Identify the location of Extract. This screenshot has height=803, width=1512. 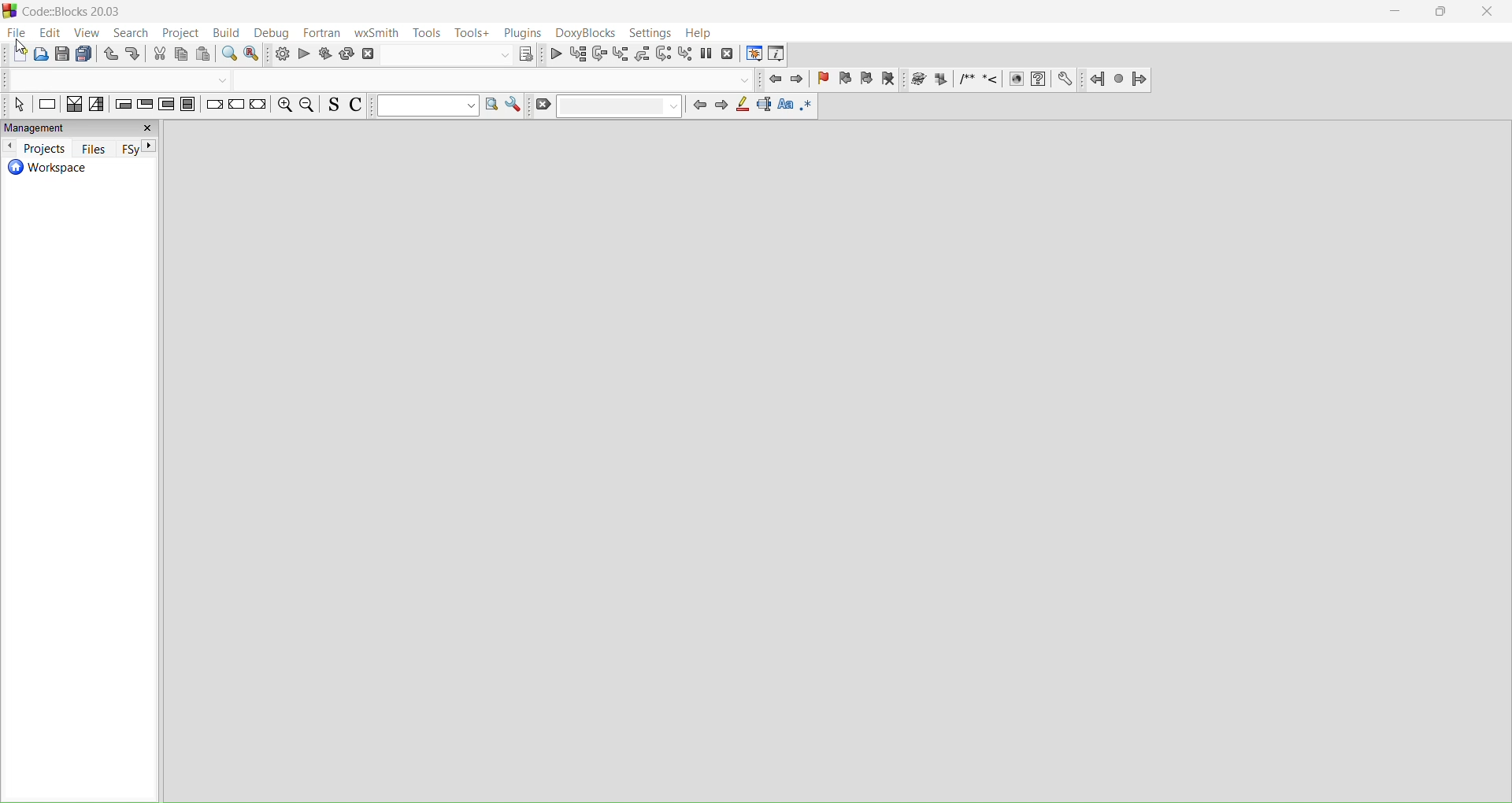
(939, 79).